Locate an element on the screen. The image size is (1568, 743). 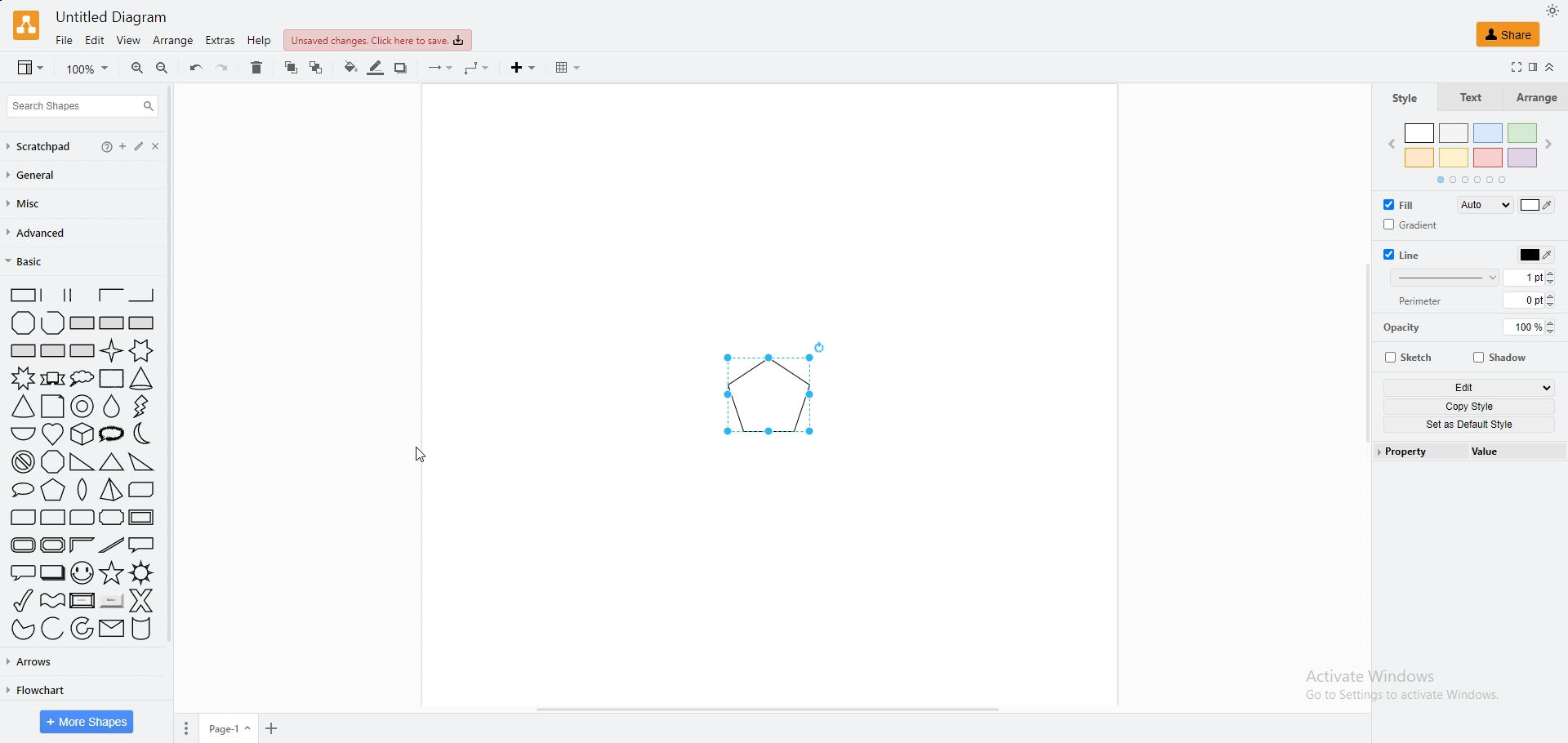
rectangle with diagonal grid fill is located at coordinates (82, 351).